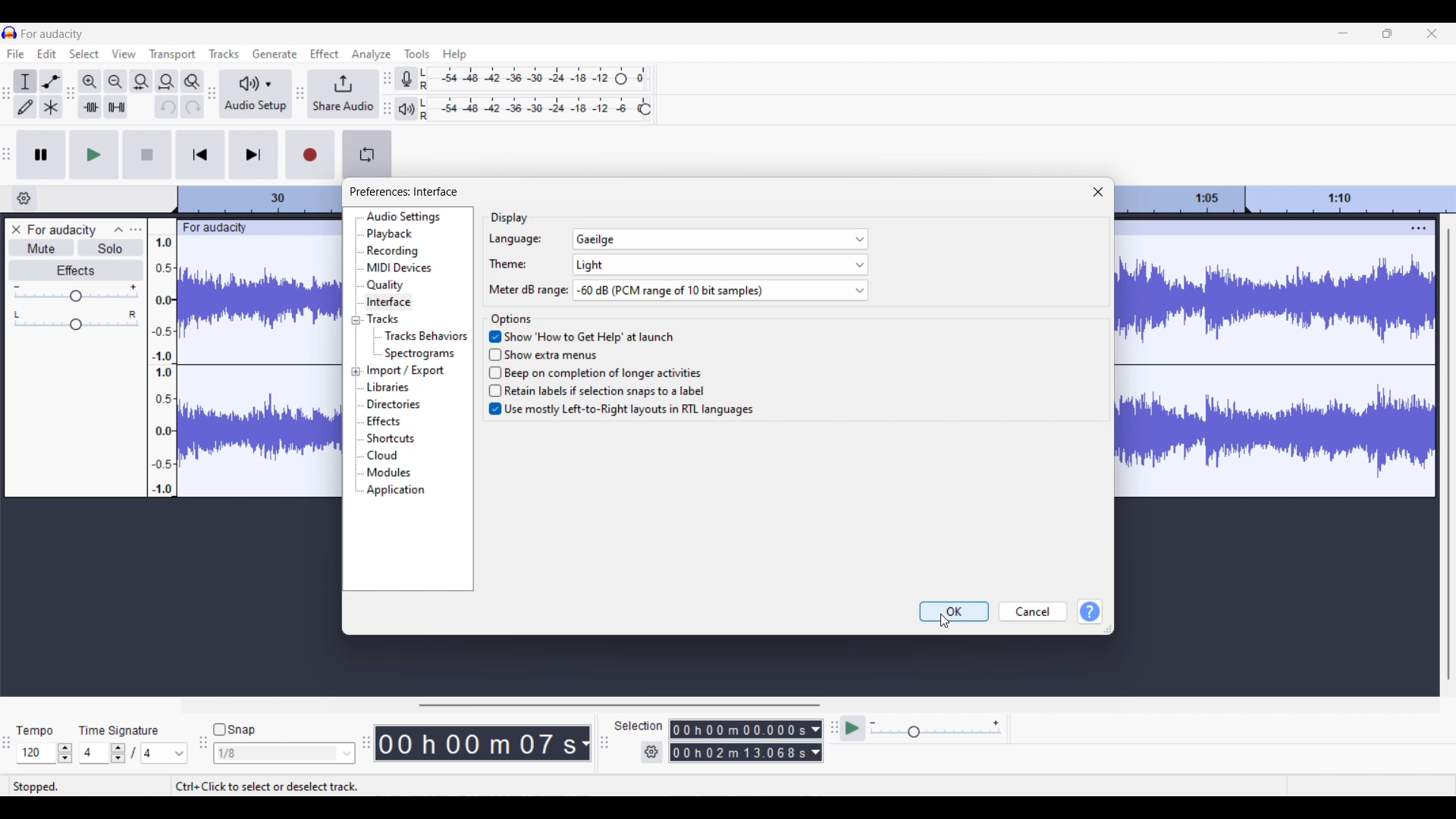  What do you see at coordinates (234, 730) in the screenshot?
I see `Snap toggle` at bounding box center [234, 730].